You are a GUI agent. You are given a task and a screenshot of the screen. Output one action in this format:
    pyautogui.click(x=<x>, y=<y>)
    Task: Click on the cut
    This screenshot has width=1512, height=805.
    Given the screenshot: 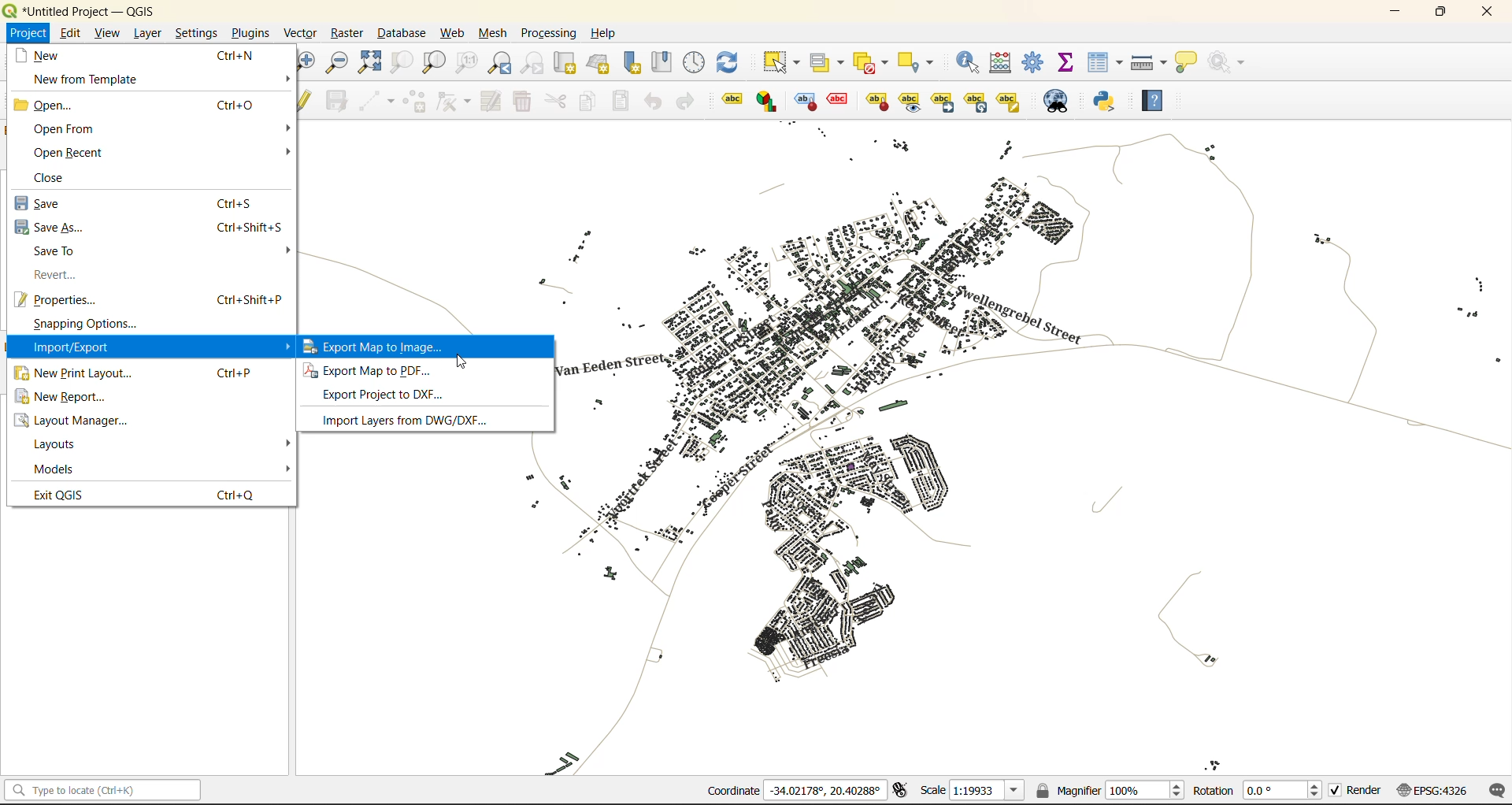 What is the action you would take?
    pyautogui.click(x=557, y=101)
    